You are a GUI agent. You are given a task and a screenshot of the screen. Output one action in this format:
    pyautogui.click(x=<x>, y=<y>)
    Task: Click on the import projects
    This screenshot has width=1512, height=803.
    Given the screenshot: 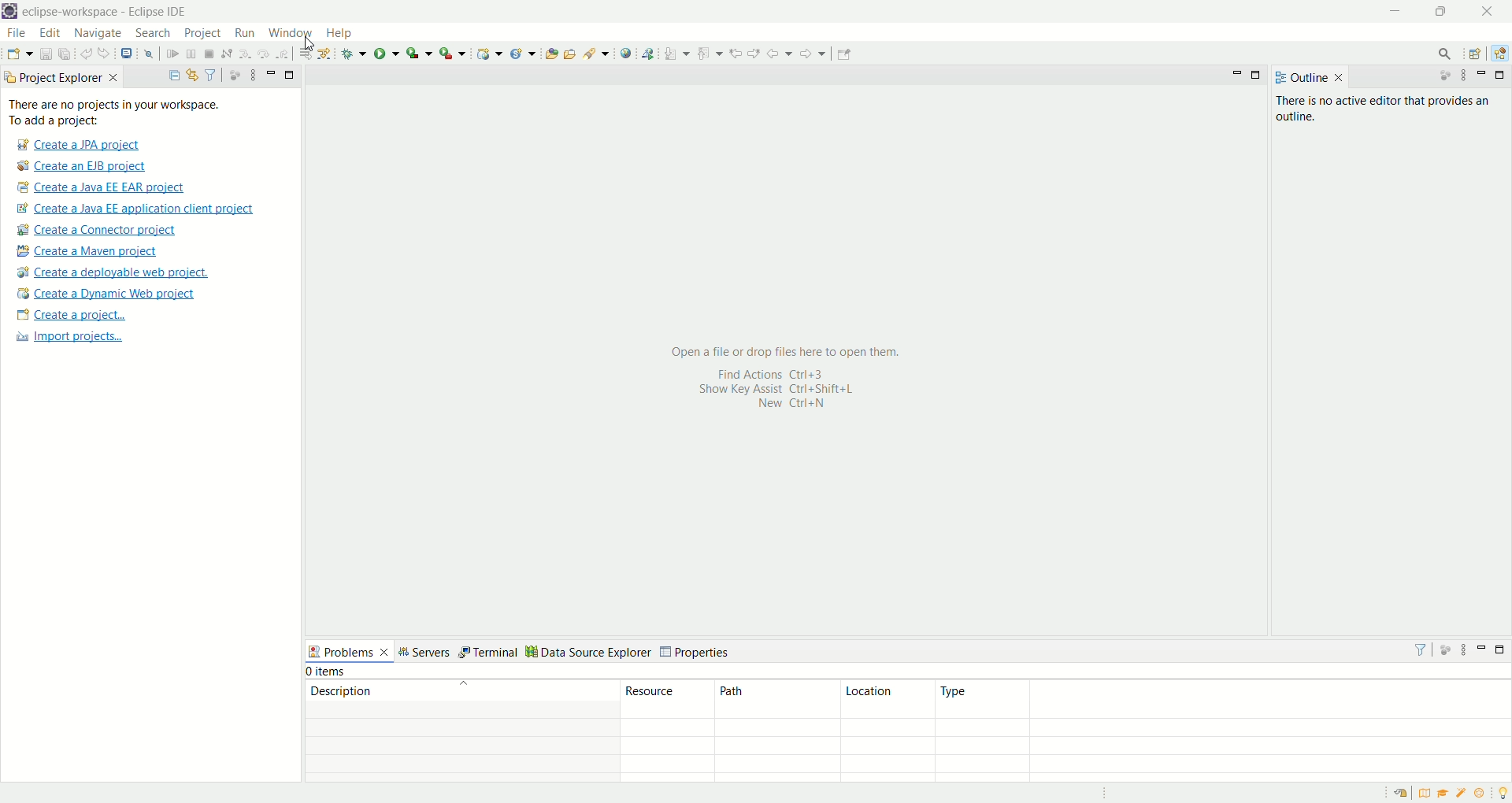 What is the action you would take?
    pyautogui.click(x=79, y=342)
    